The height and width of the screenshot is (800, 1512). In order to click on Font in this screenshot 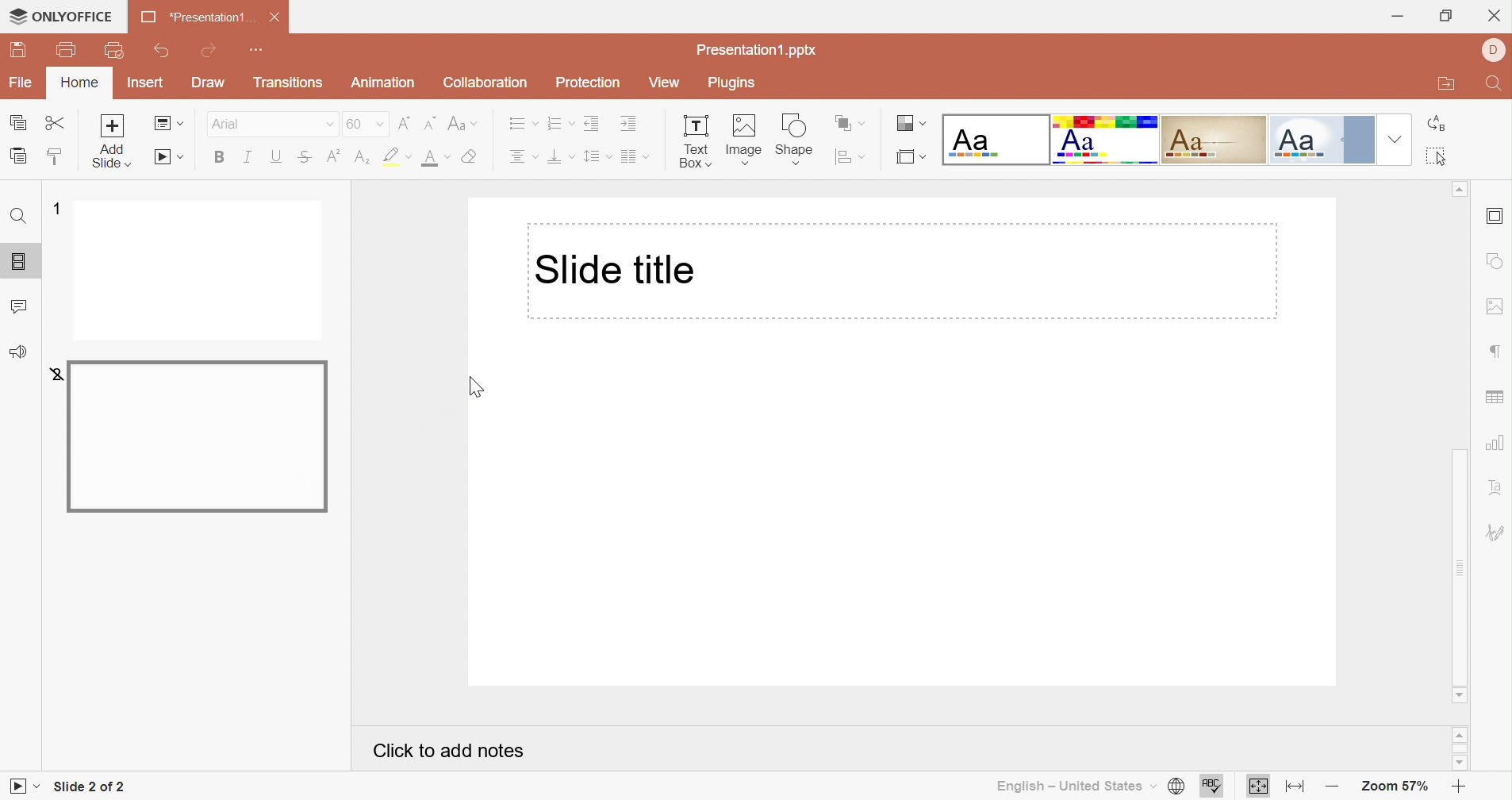, I will do `click(240, 126)`.